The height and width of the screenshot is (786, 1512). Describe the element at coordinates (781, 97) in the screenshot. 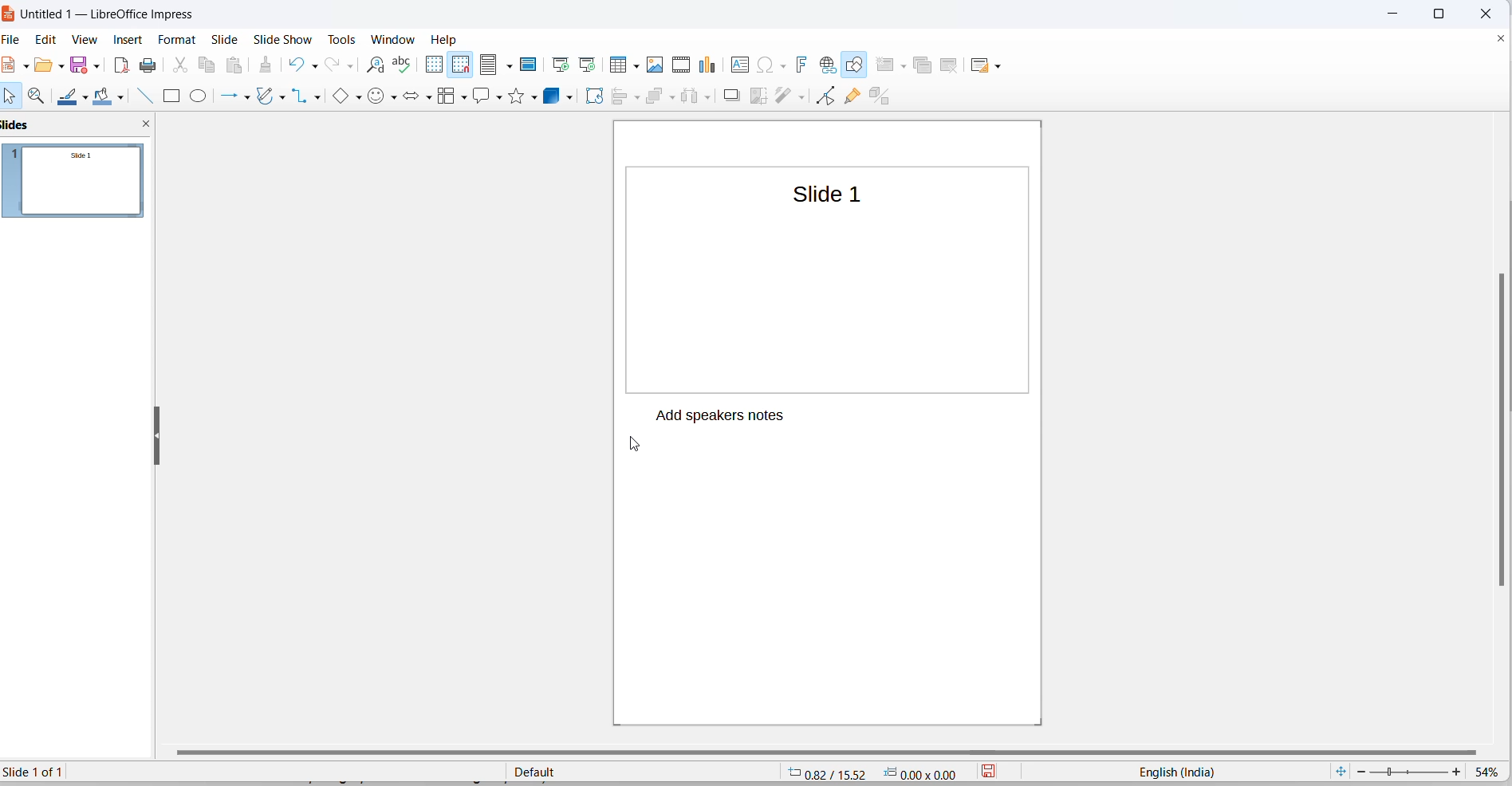

I see `filters` at that location.